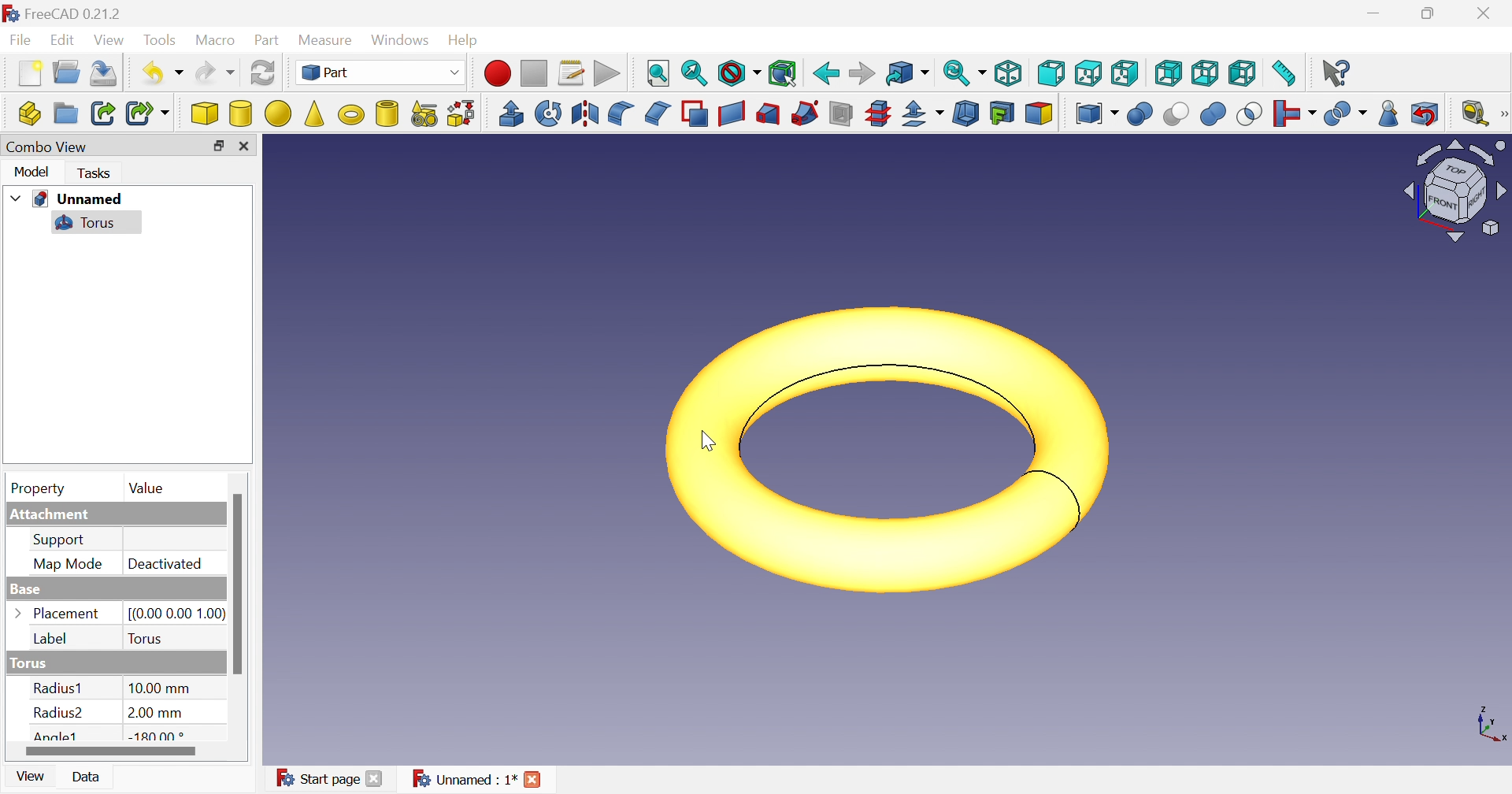 This screenshot has height=794, width=1512. I want to click on 10.00 mm, so click(158, 688).